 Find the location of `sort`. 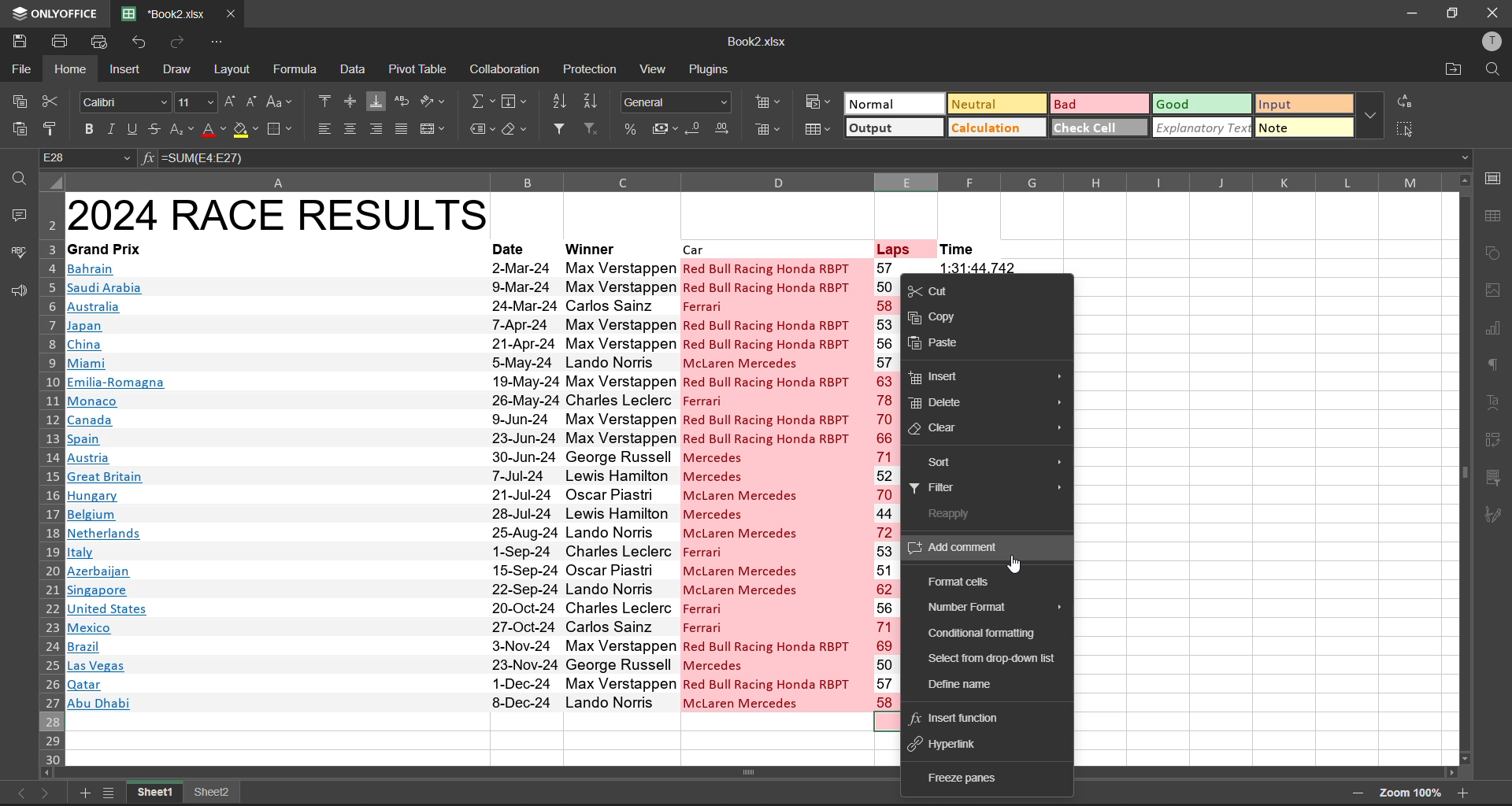

sort is located at coordinates (998, 462).